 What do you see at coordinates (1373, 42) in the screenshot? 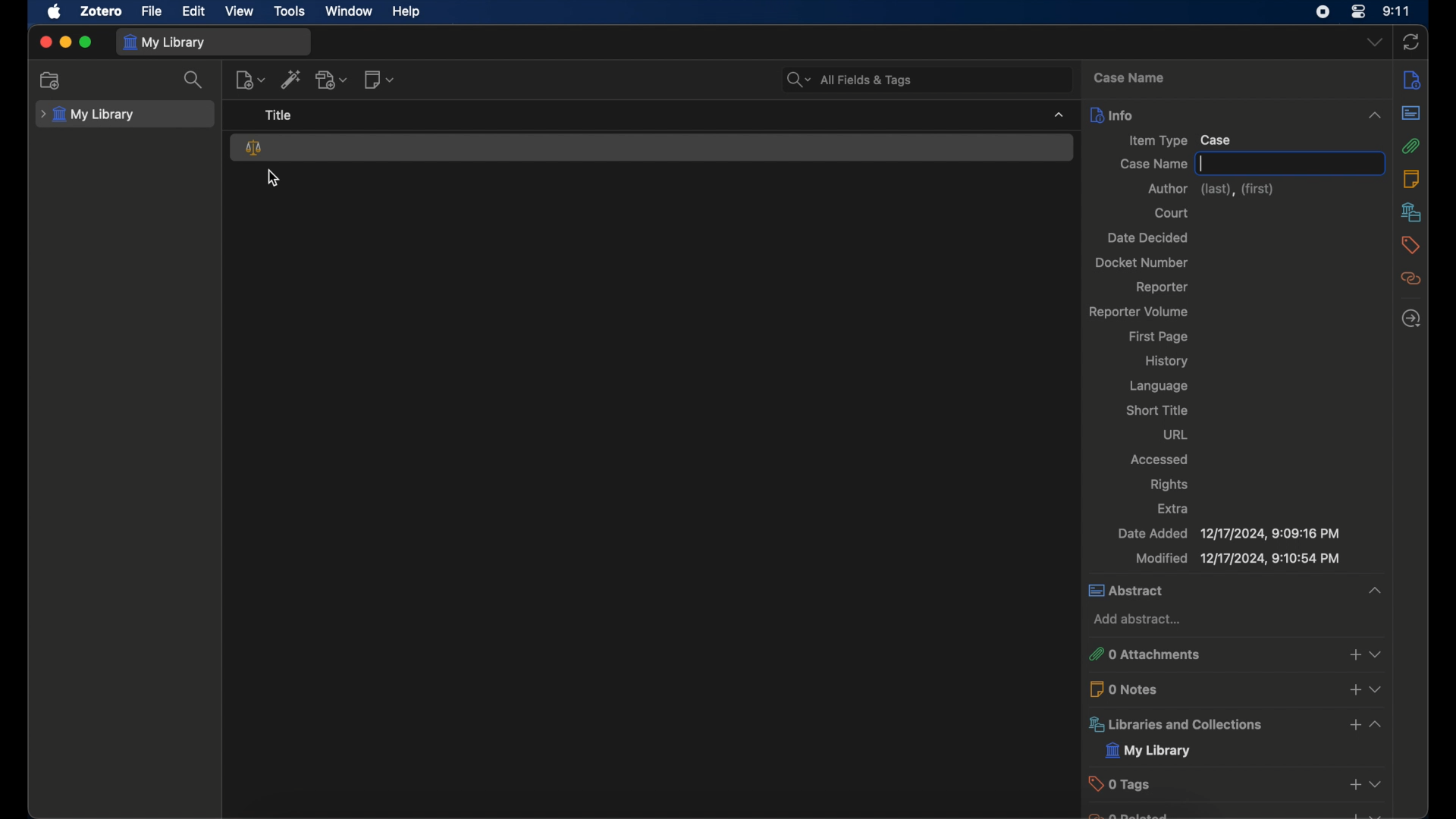
I see `dropdown` at bounding box center [1373, 42].